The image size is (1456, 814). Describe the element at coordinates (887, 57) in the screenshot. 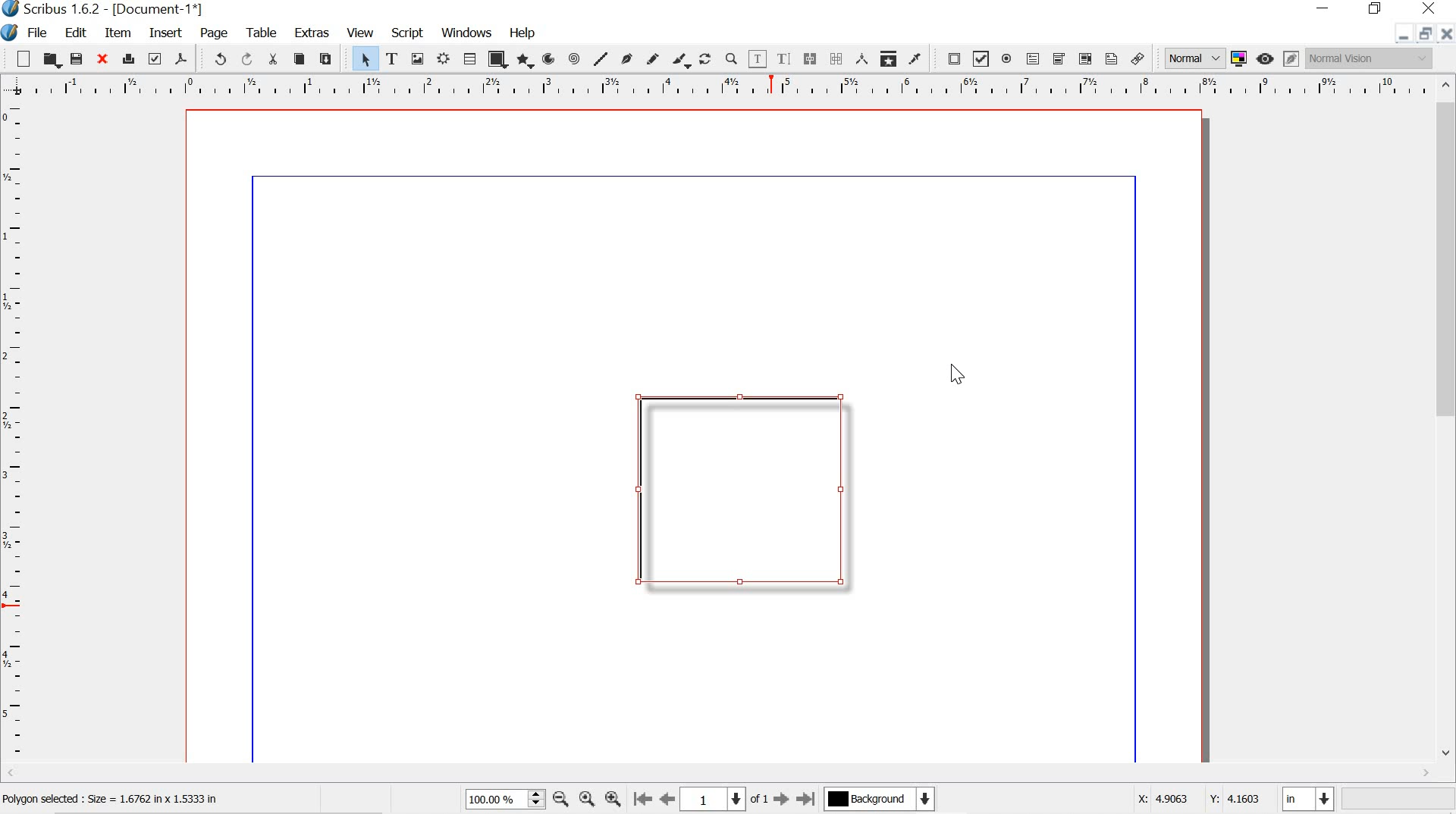

I see `copy item properties` at that location.